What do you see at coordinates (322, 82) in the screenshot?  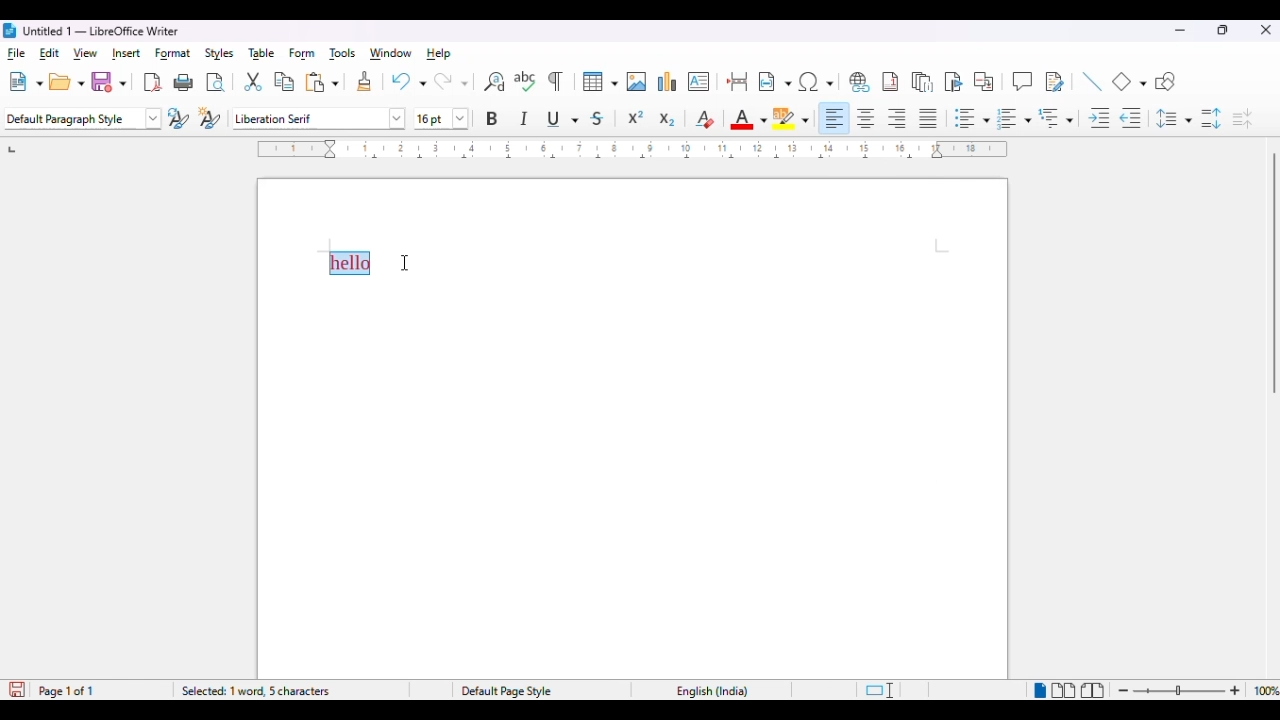 I see `paste` at bounding box center [322, 82].